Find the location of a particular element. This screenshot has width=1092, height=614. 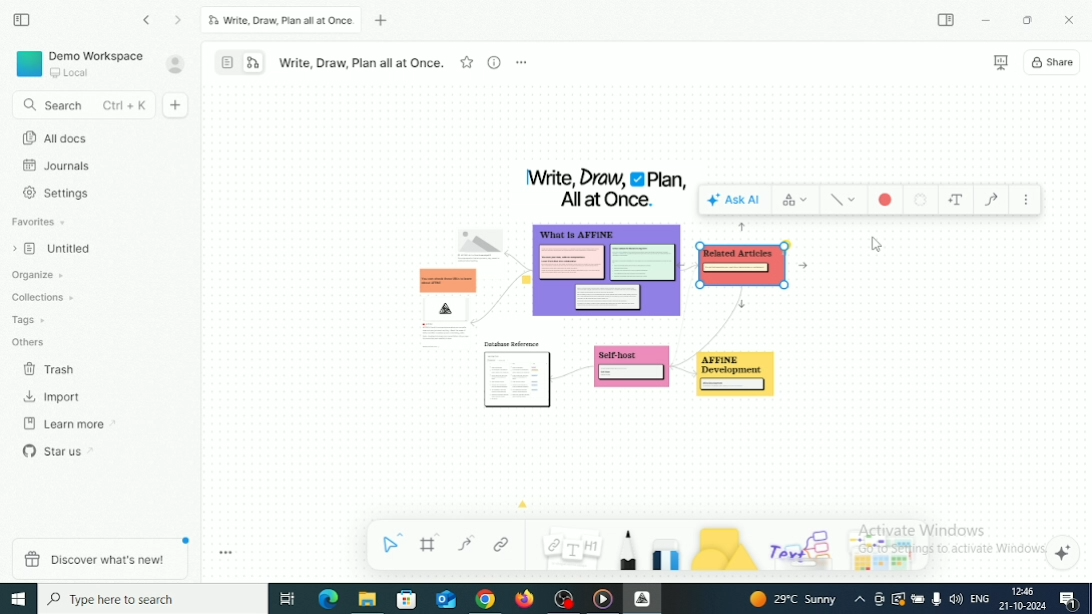

Tags is located at coordinates (30, 320).